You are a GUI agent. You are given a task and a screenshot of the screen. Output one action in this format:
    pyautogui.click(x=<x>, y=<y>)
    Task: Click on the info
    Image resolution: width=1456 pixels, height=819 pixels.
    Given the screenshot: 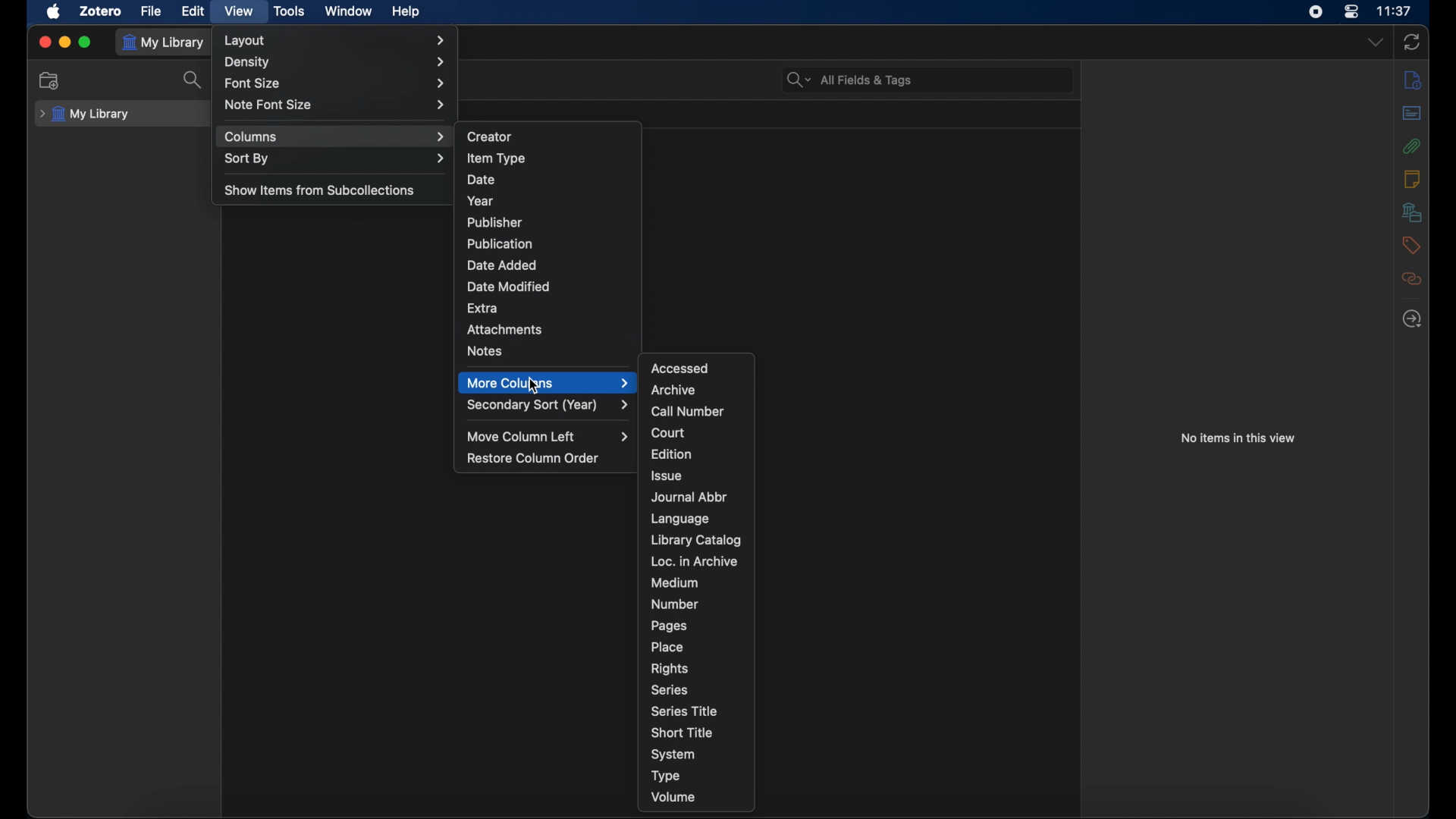 What is the action you would take?
    pyautogui.click(x=1412, y=79)
    